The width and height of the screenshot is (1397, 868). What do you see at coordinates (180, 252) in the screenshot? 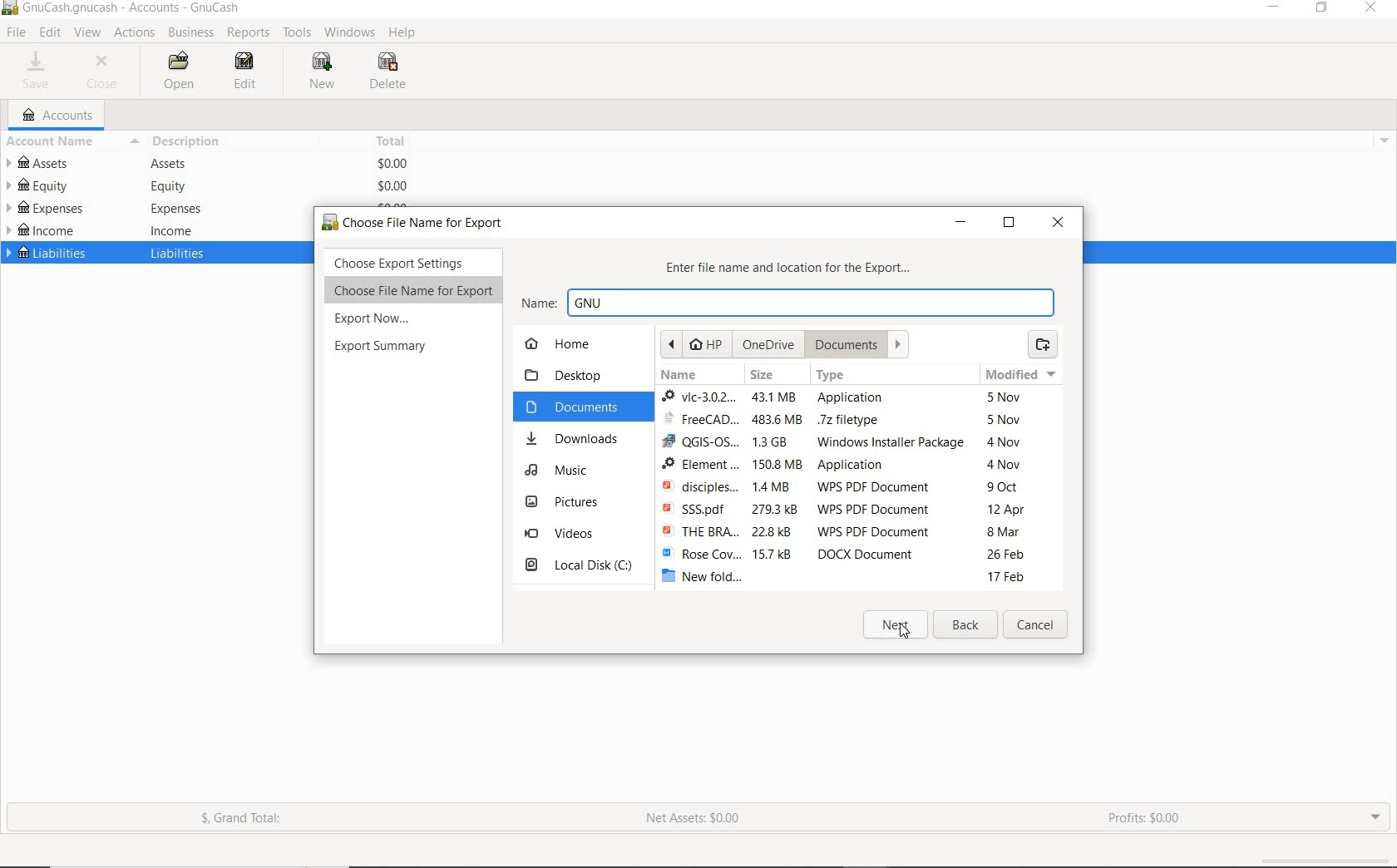
I see `liabilities` at bounding box center [180, 252].